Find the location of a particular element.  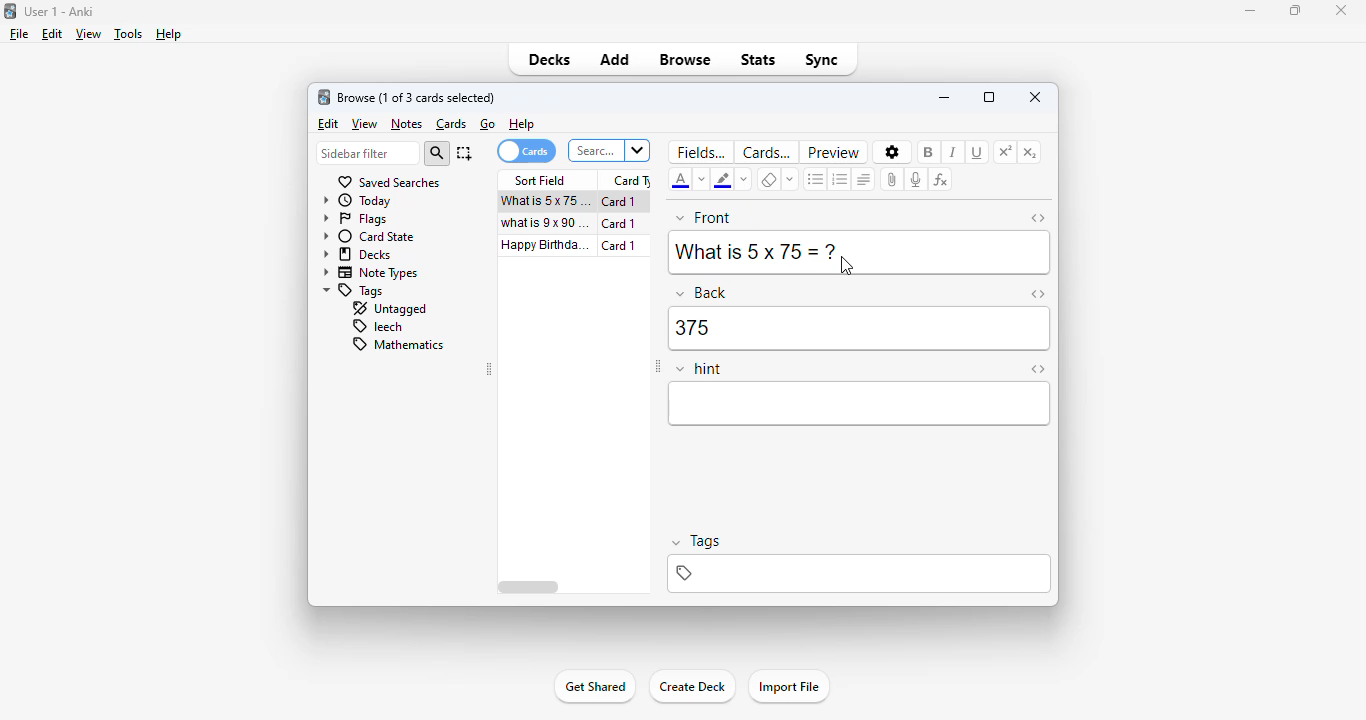

italic is located at coordinates (954, 152).